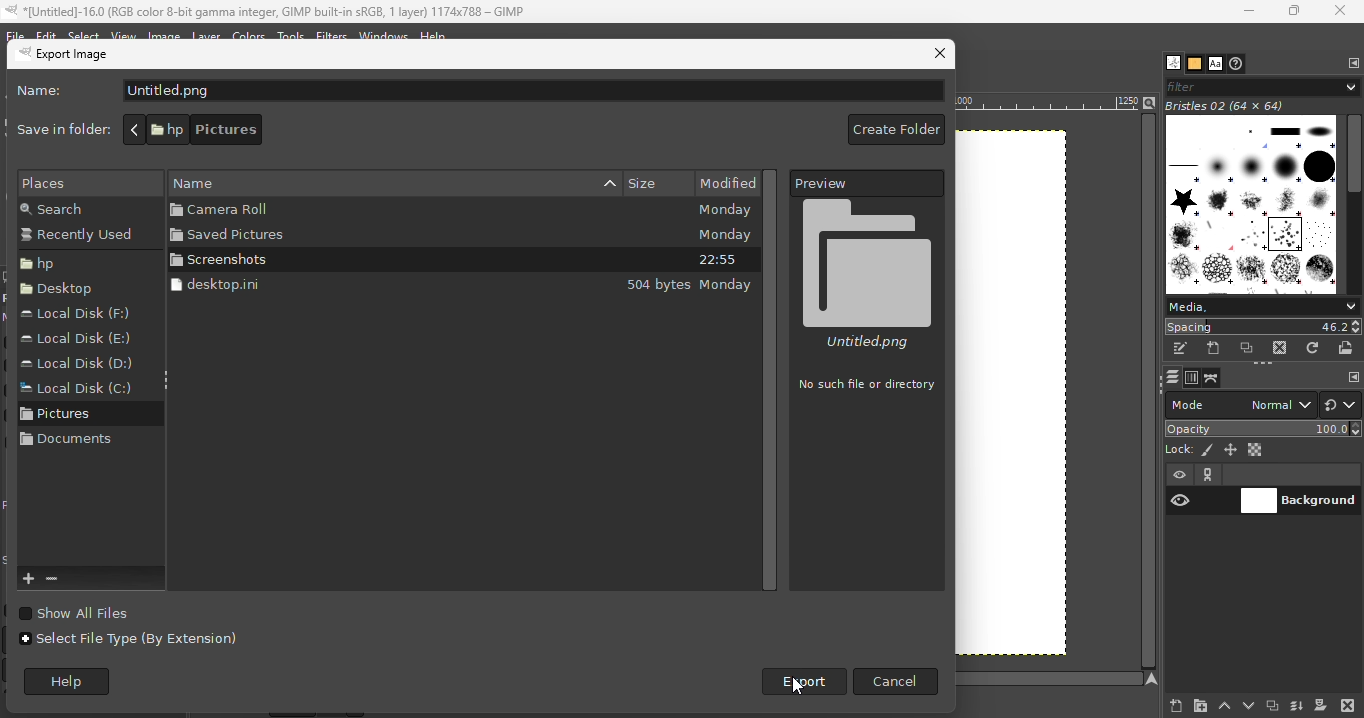 This screenshot has height=718, width=1364. What do you see at coordinates (1208, 451) in the screenshot?
I see `Pixcels` at bounding box center [1208, 451].